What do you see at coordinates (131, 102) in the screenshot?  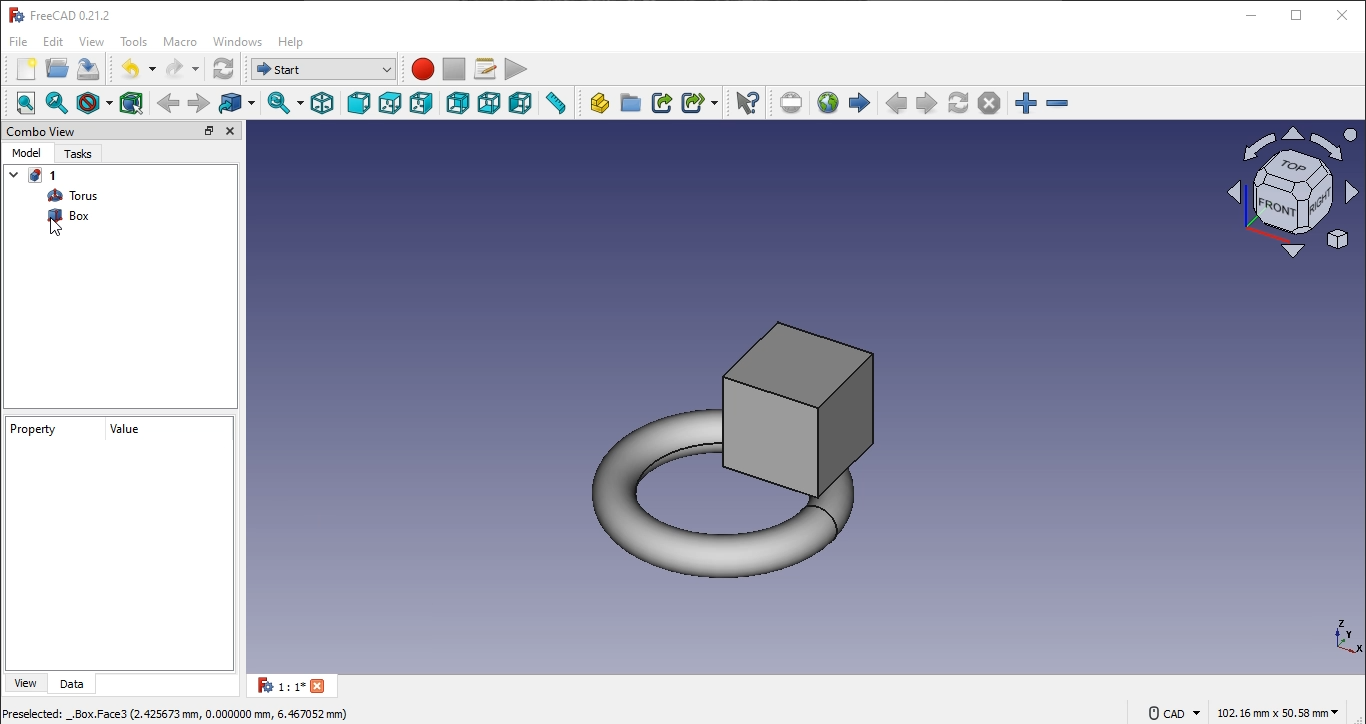 I see `bounding box` at bounding box center [131, 102].